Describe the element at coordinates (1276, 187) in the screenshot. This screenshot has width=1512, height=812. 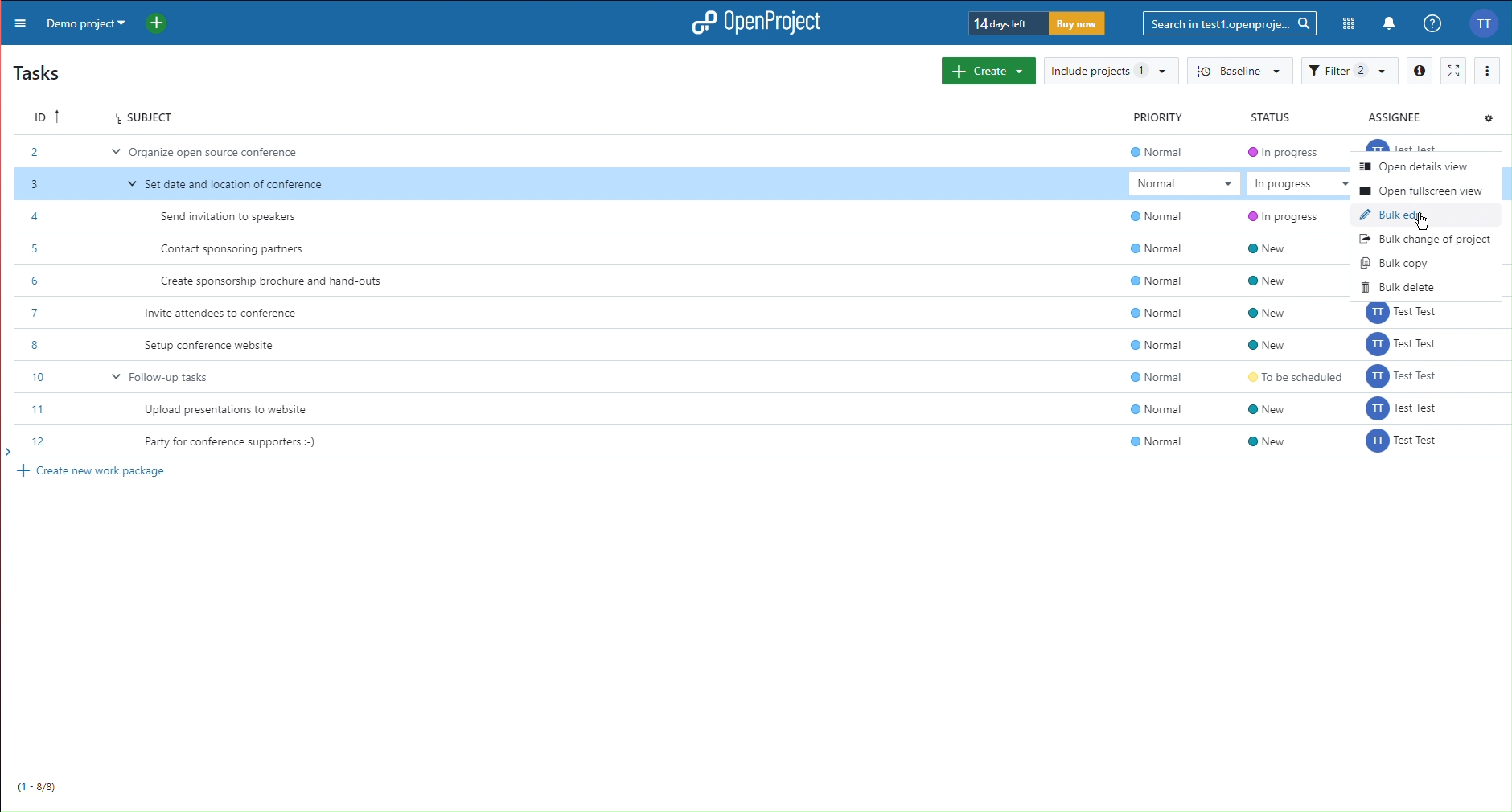
I see `in progress` at that location.